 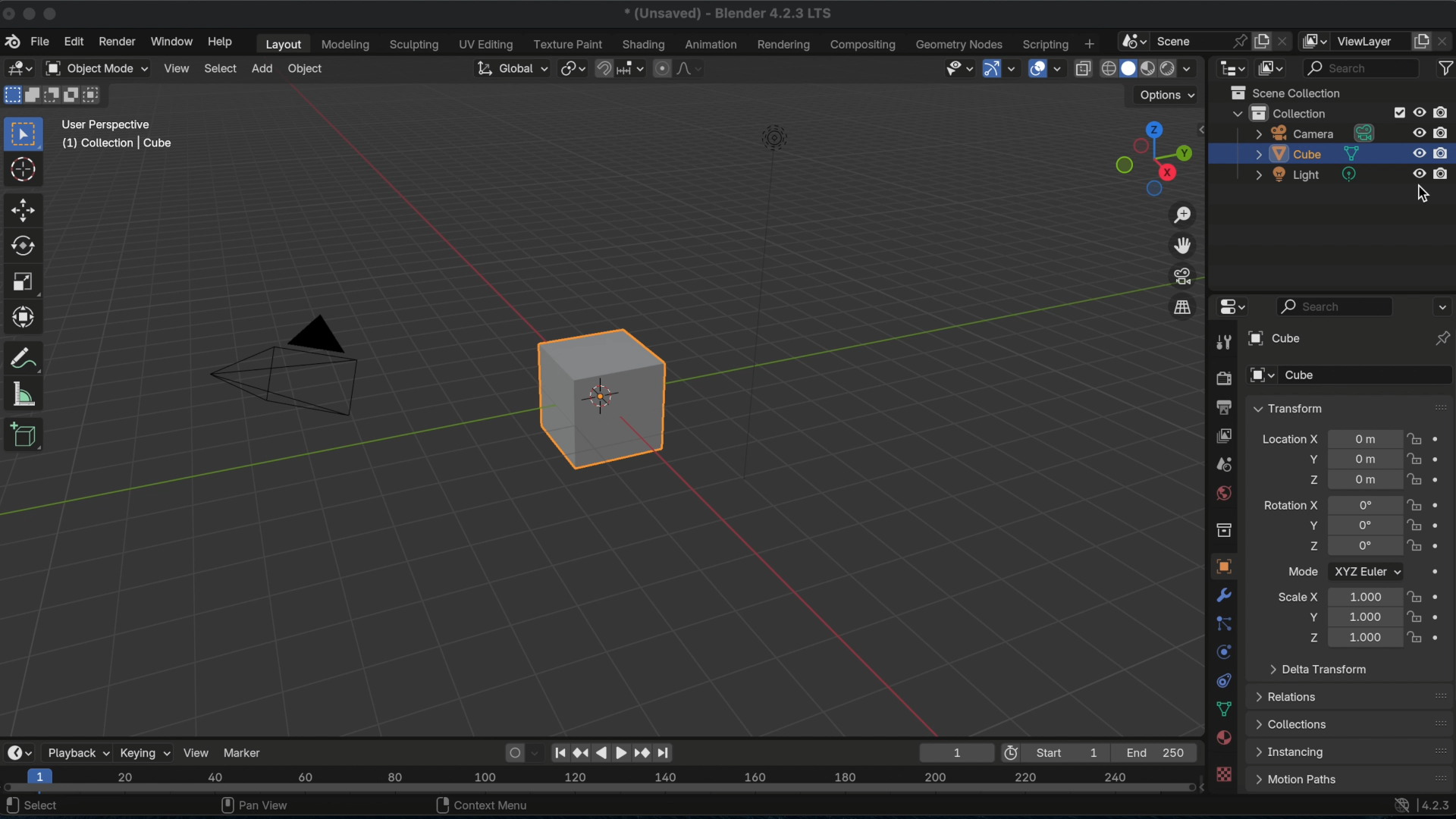 What do you see at coordinates (1414, 596) in the screenshot?
I see `lock scale` at bounding box center [1414, 596].